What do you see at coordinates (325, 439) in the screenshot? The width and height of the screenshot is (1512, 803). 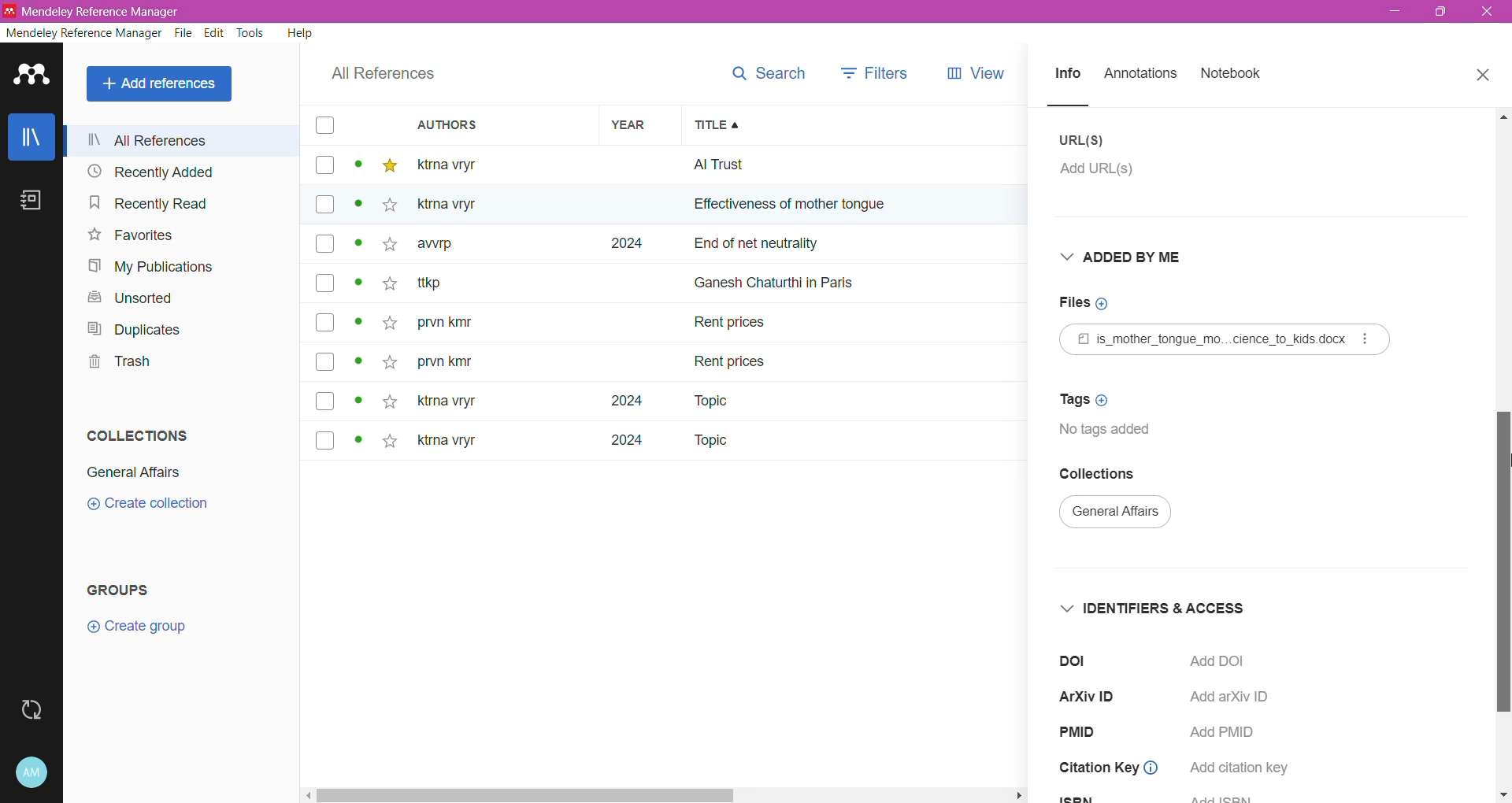 I see `box` at bounding box center [325, 439].